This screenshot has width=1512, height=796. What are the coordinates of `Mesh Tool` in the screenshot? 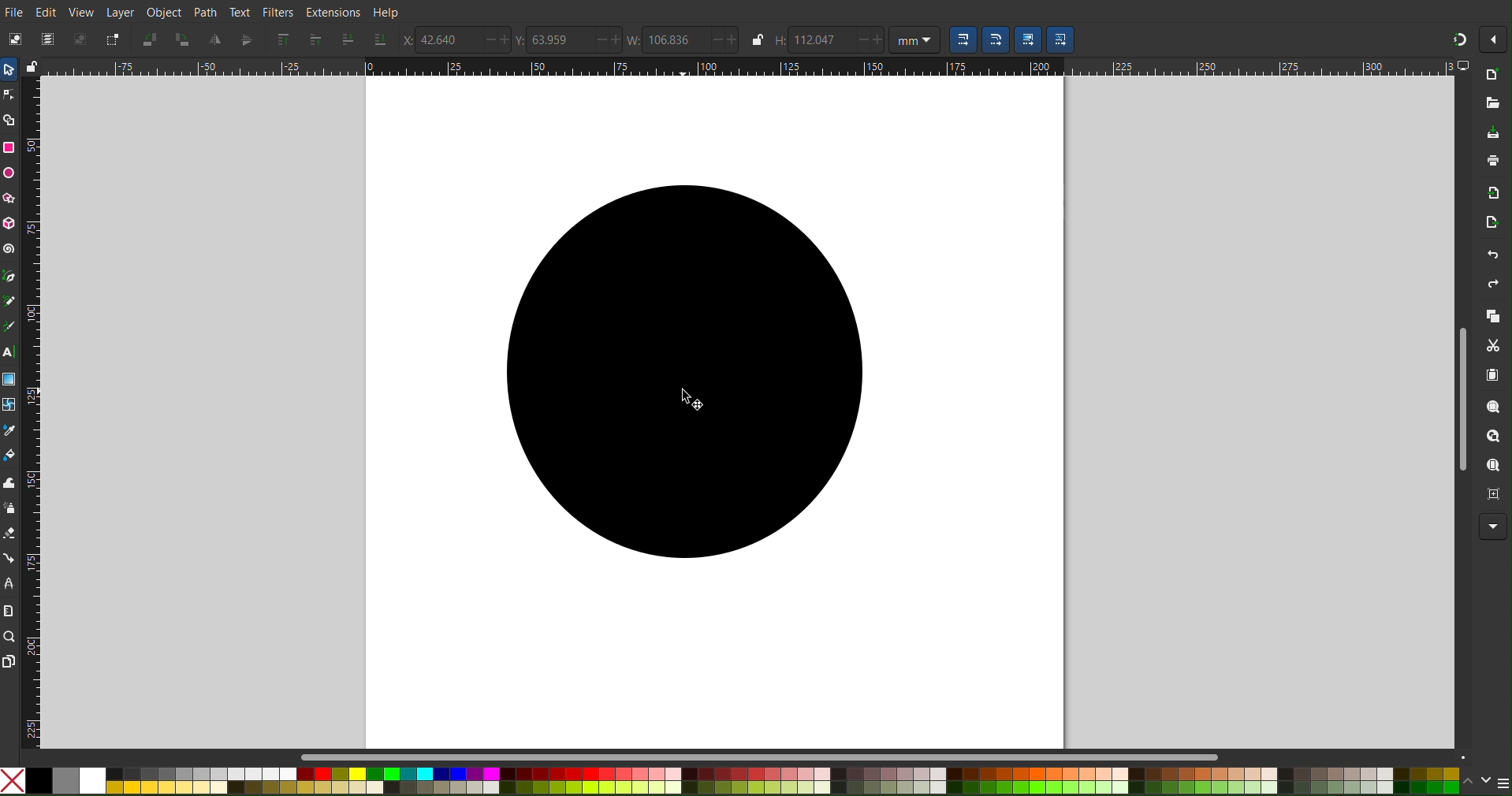 It's located at (9, 404).